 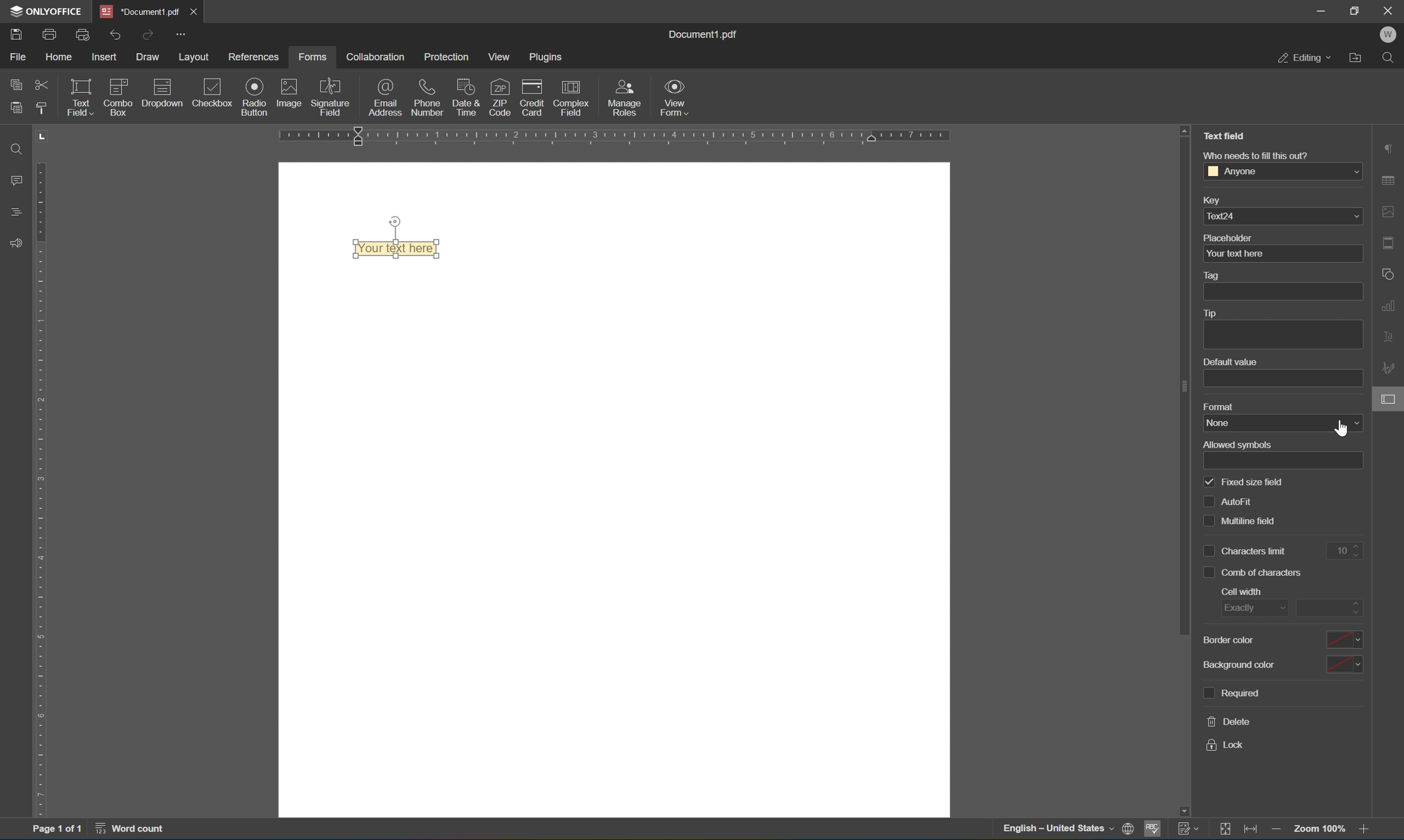 I want to click on comb of characters, so click(x=1253, y=571).